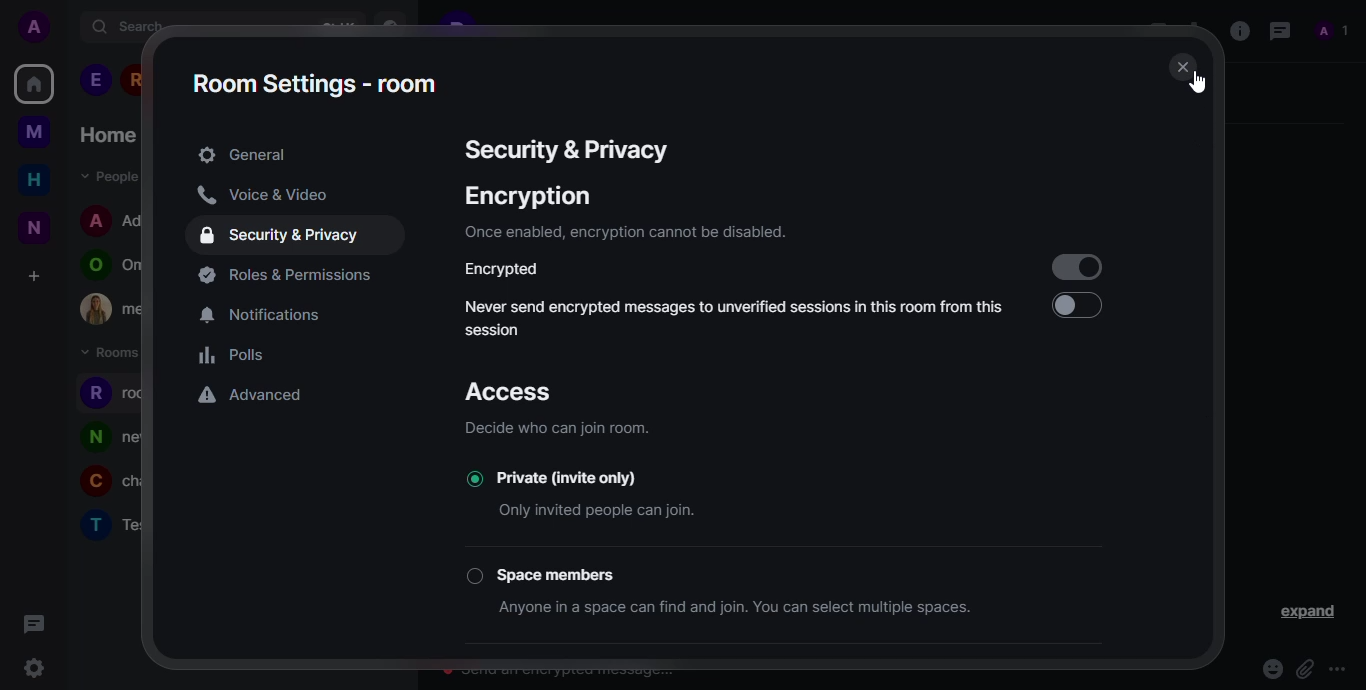  Describe the element at coordinates (33, 133) in the screenshot. I see `myspace` at that location.